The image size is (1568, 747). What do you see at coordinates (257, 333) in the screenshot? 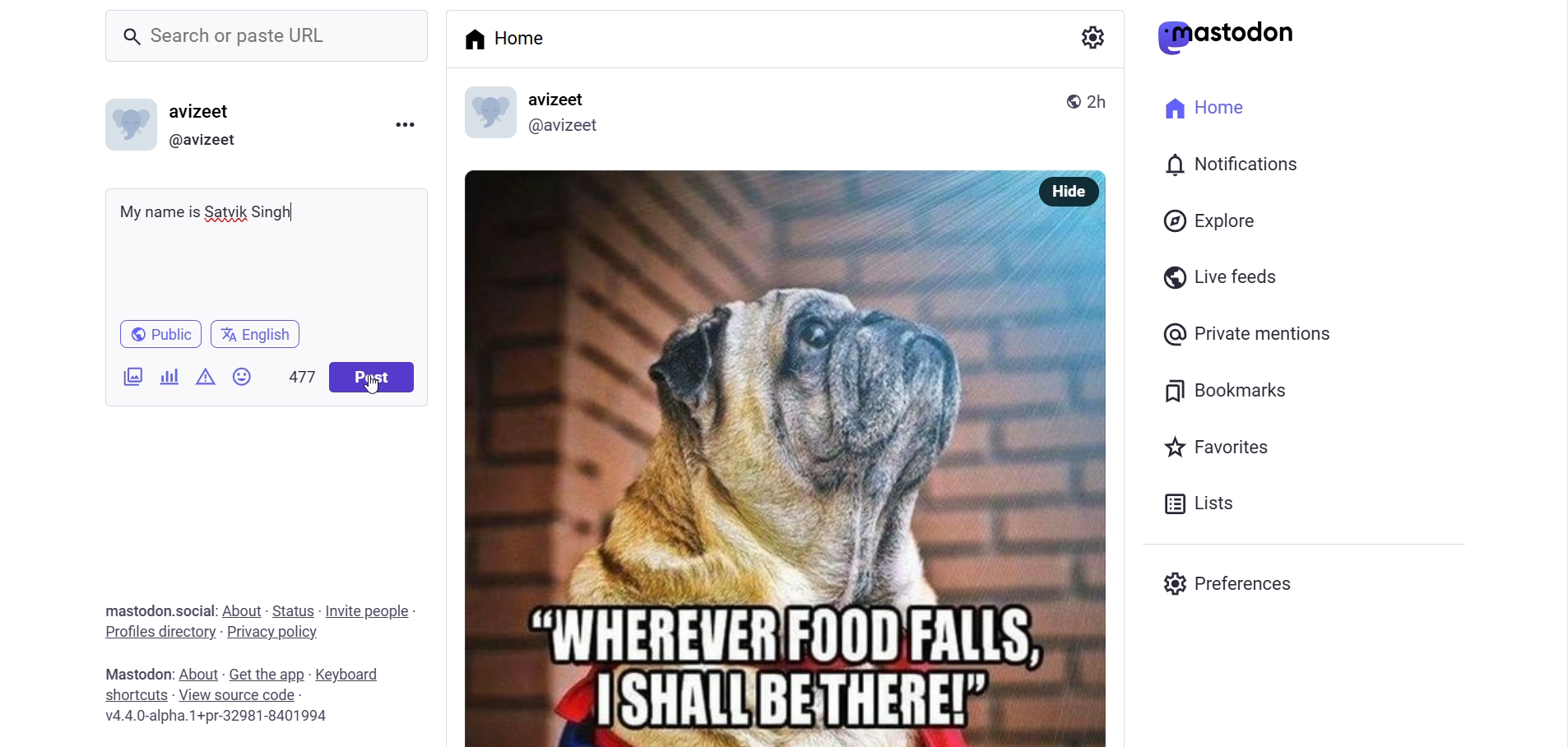
I see ` English` at bounding box center [257, 333].